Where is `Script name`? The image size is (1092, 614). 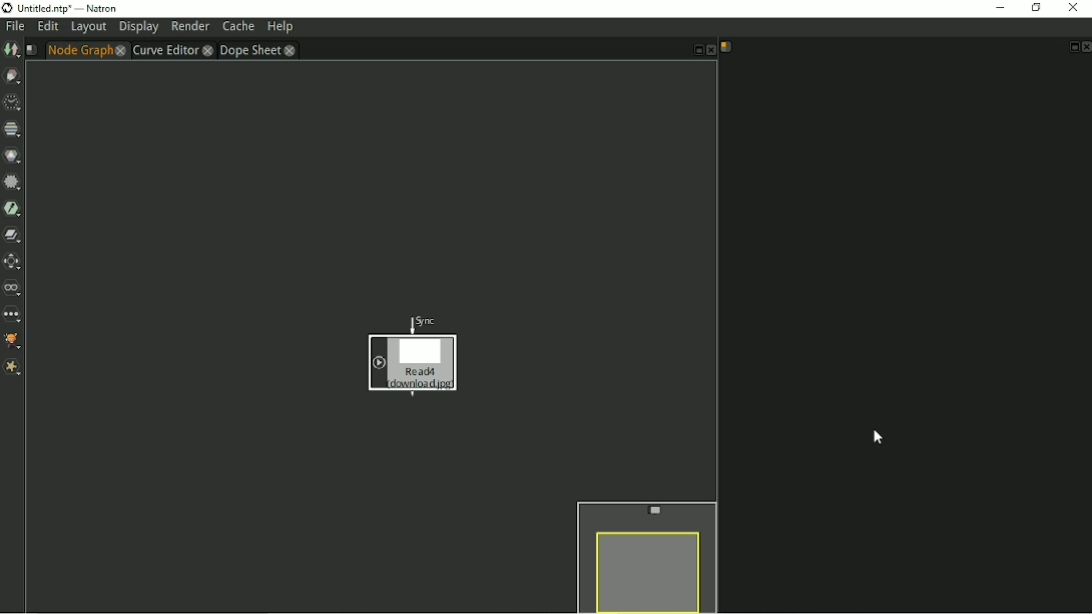 Script name is located at coordinates (31, 50).